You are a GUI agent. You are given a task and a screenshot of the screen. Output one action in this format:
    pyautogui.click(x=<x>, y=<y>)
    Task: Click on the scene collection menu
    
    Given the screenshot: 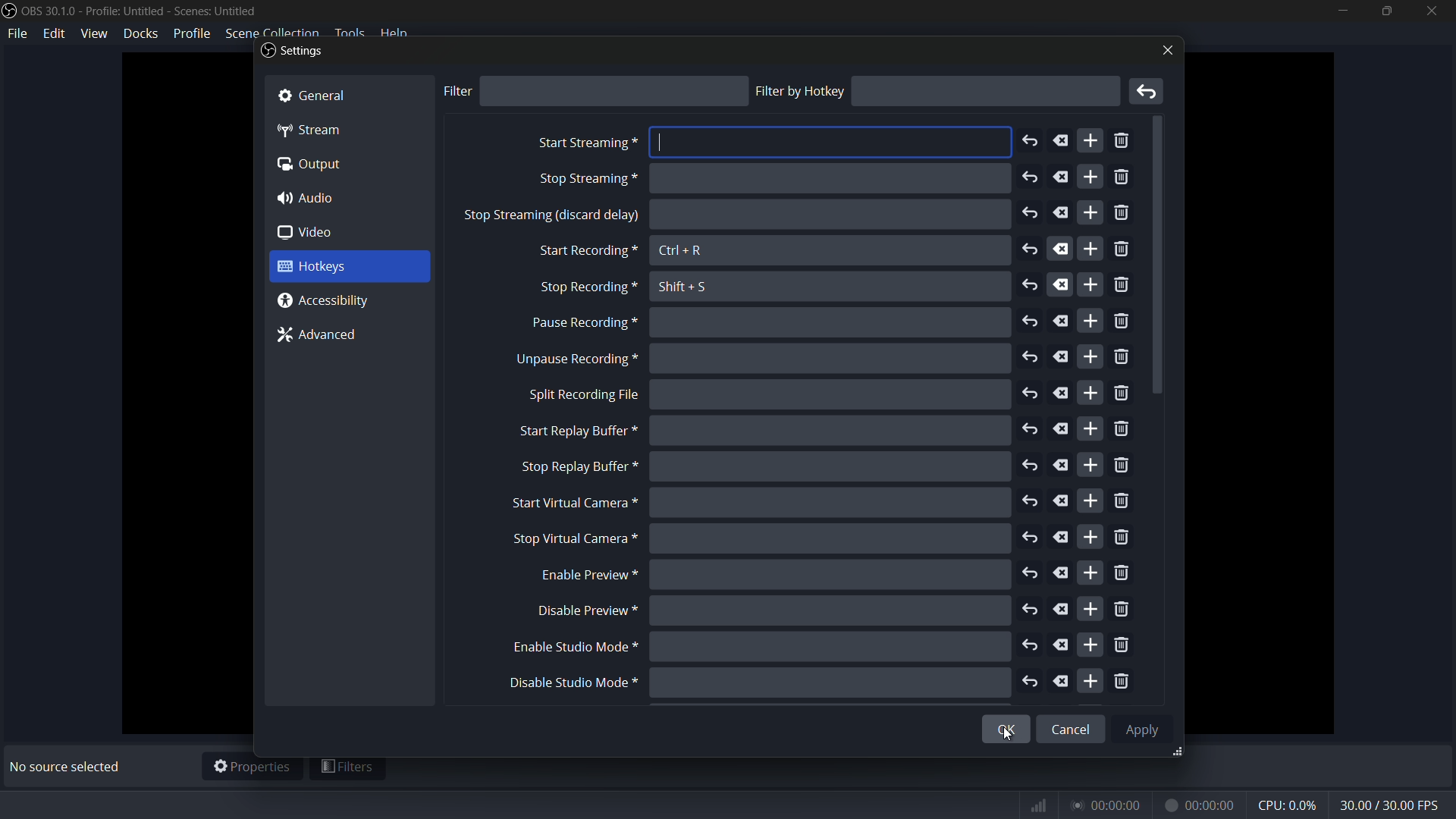 What is the action you would take?
    pyautogui.click(x=271, y=33)
    